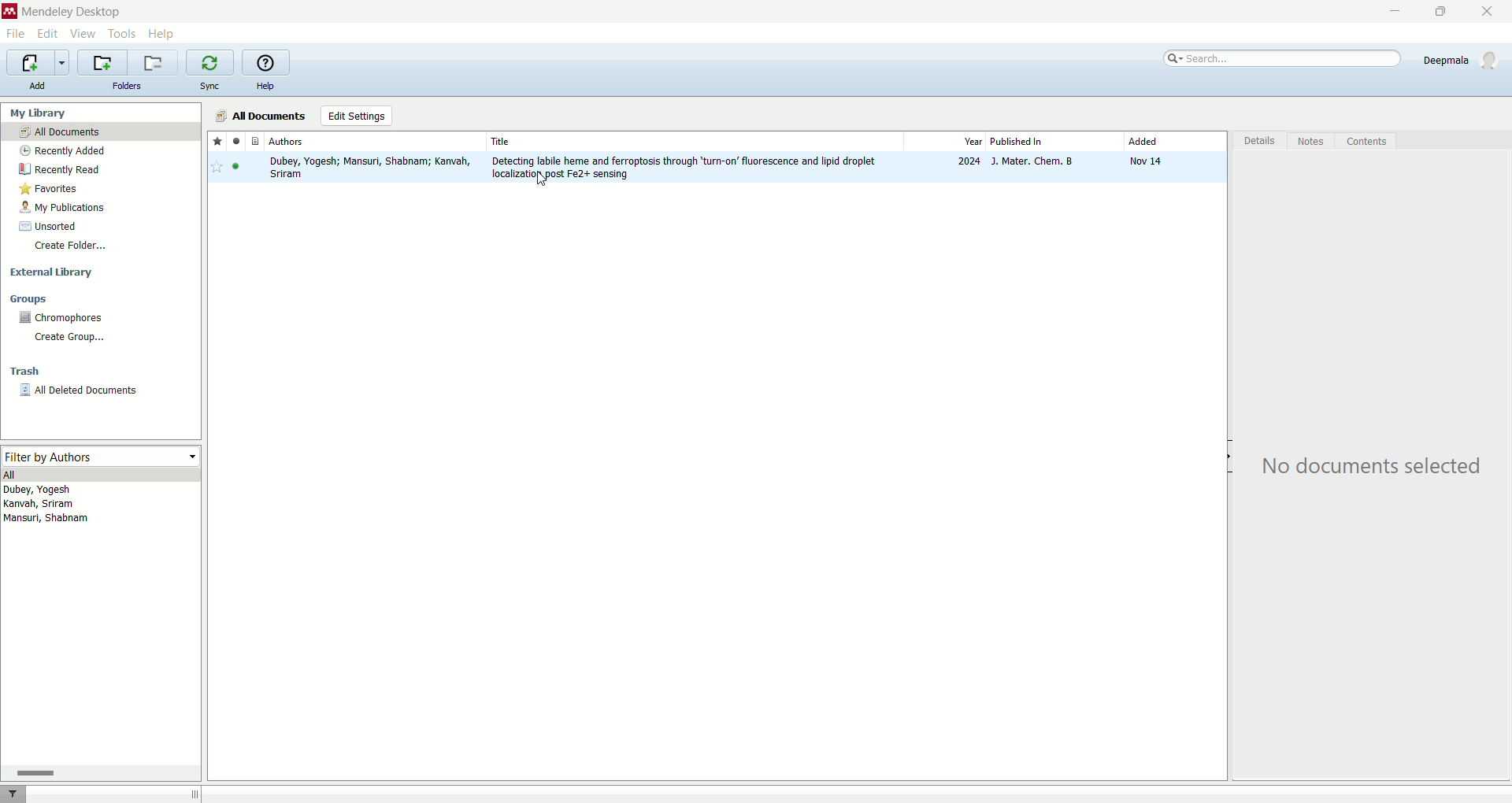 Image resolution: width=1512 pixels, height=803 pixels. Describe the element at coordinates (63, 317) in the screenshot. I see `chromophores` at that location.